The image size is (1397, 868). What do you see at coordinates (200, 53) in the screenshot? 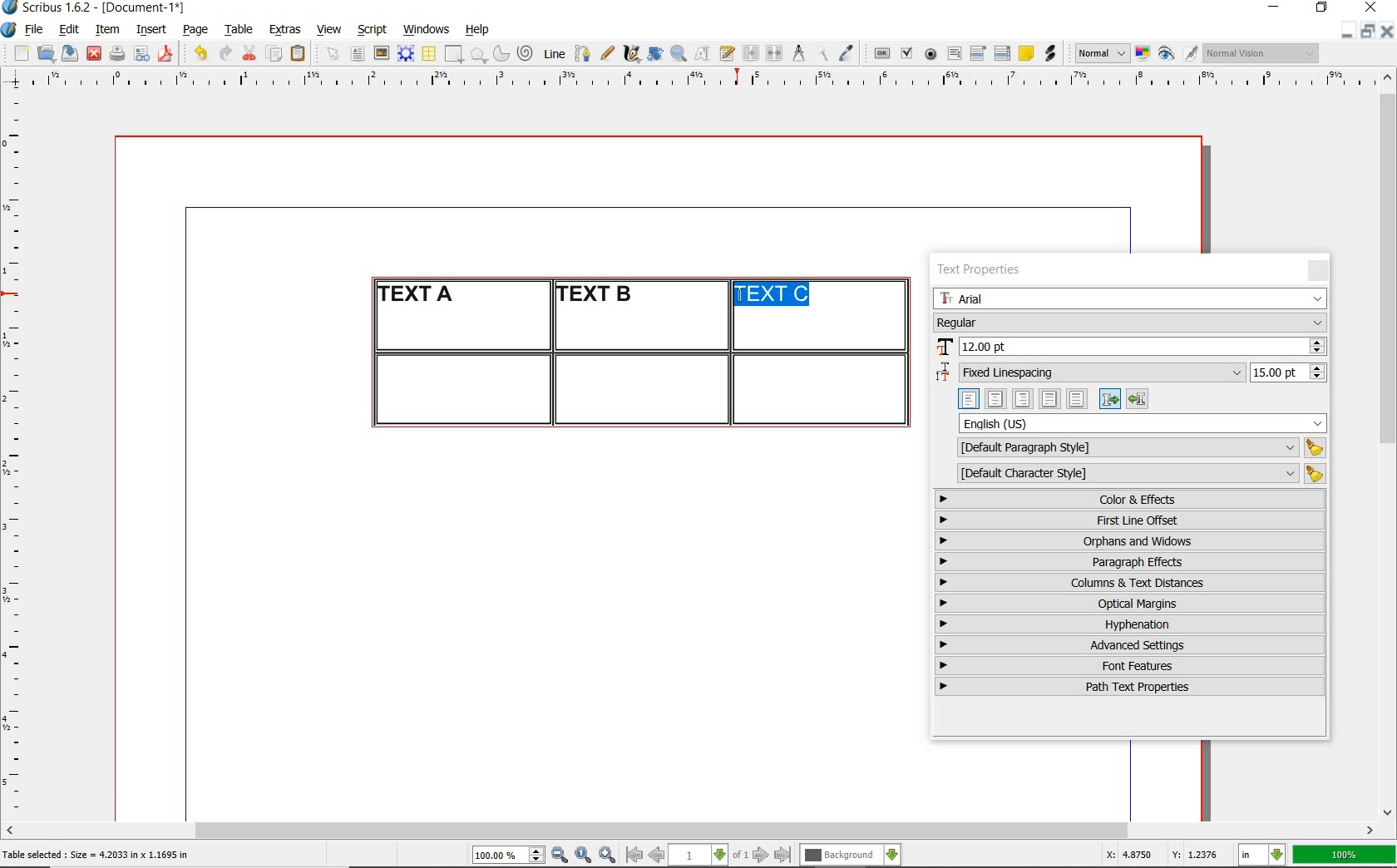
I see `undo` at bounding box center [200, 53].